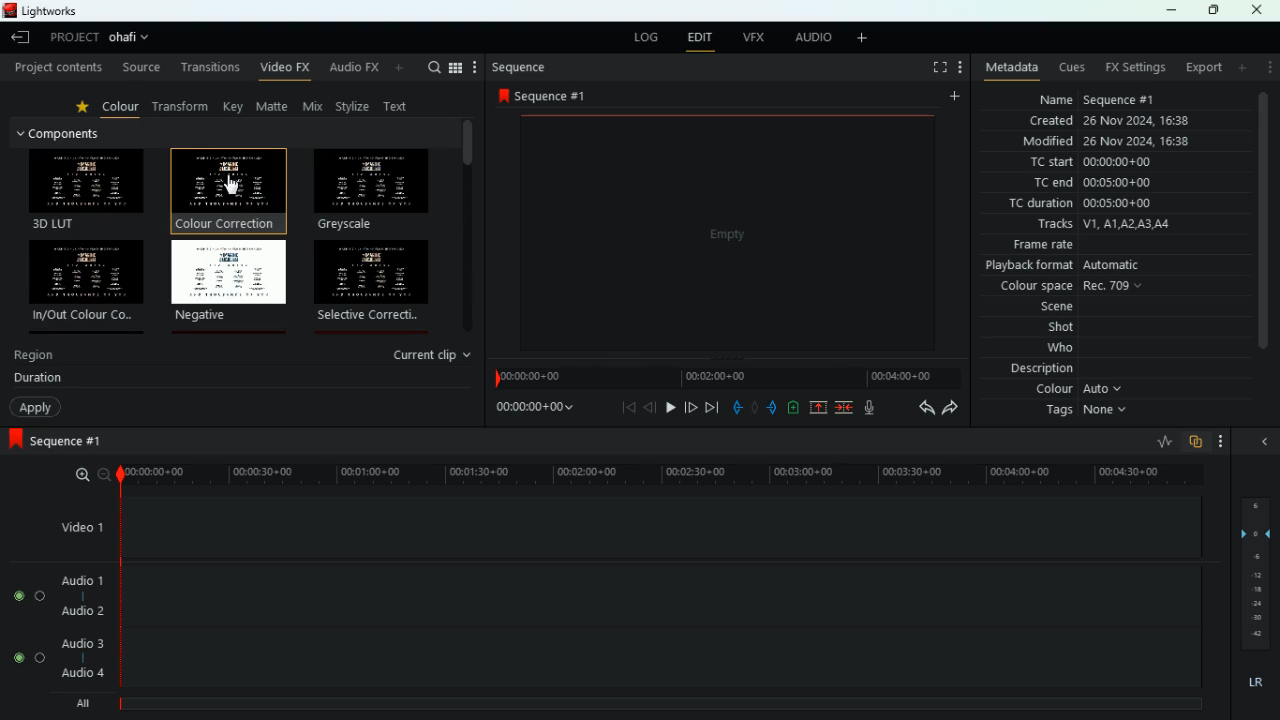  Describe the element at coordinates (726, 374) in the screenshot. I see `time` at that location.